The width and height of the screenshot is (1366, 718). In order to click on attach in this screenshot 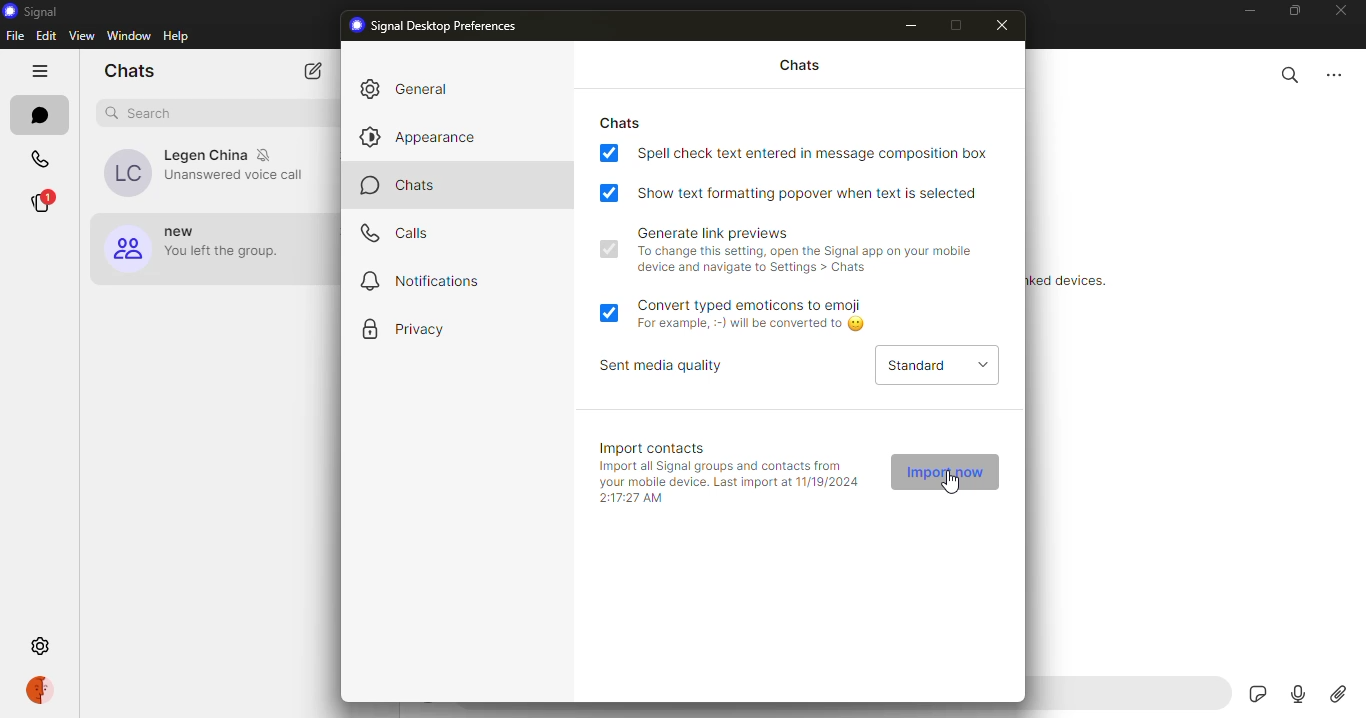, I will do `click(1339, 695)`.